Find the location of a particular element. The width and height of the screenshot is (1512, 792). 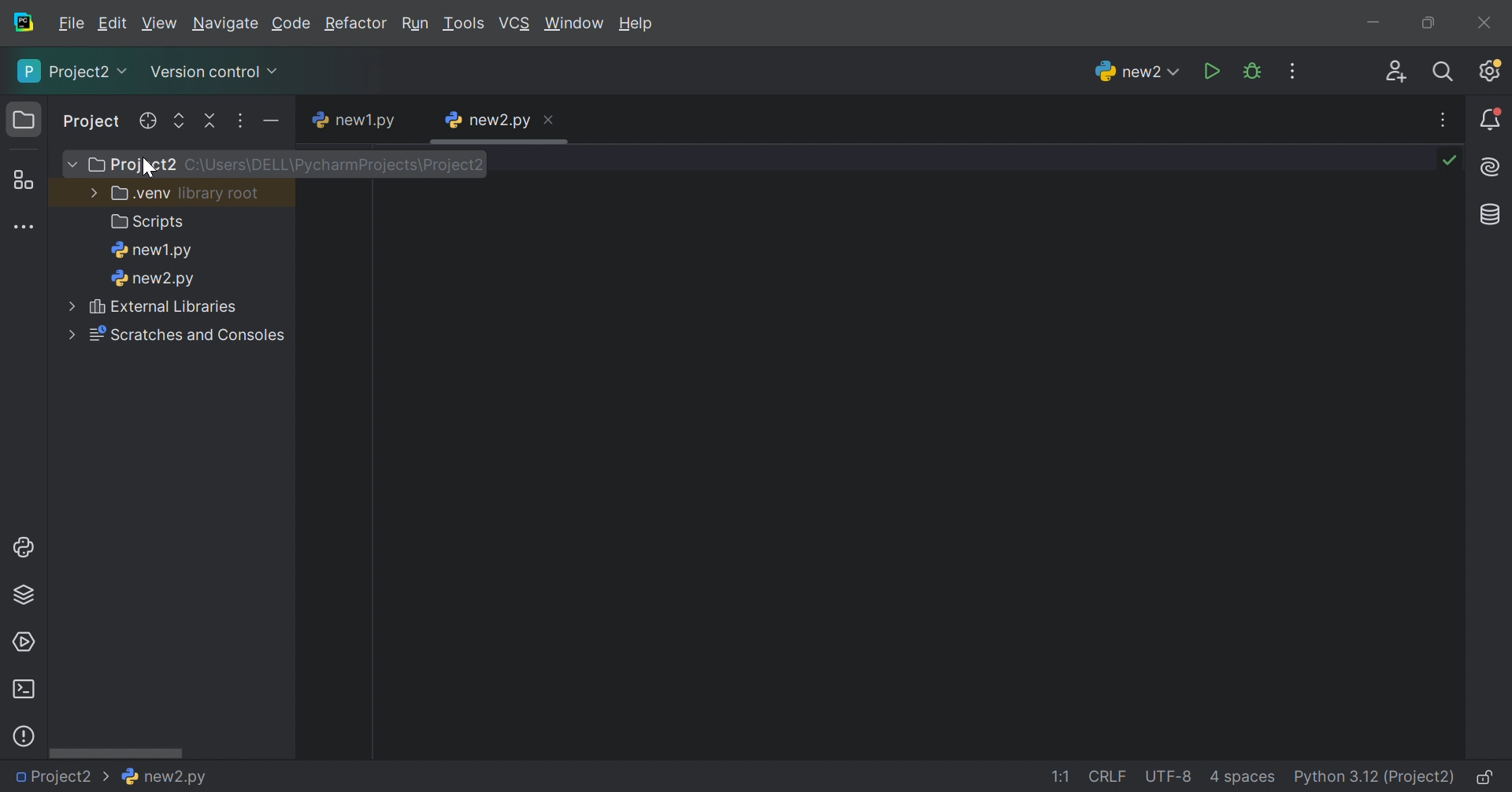

Project is located at coordinates (94, 121).